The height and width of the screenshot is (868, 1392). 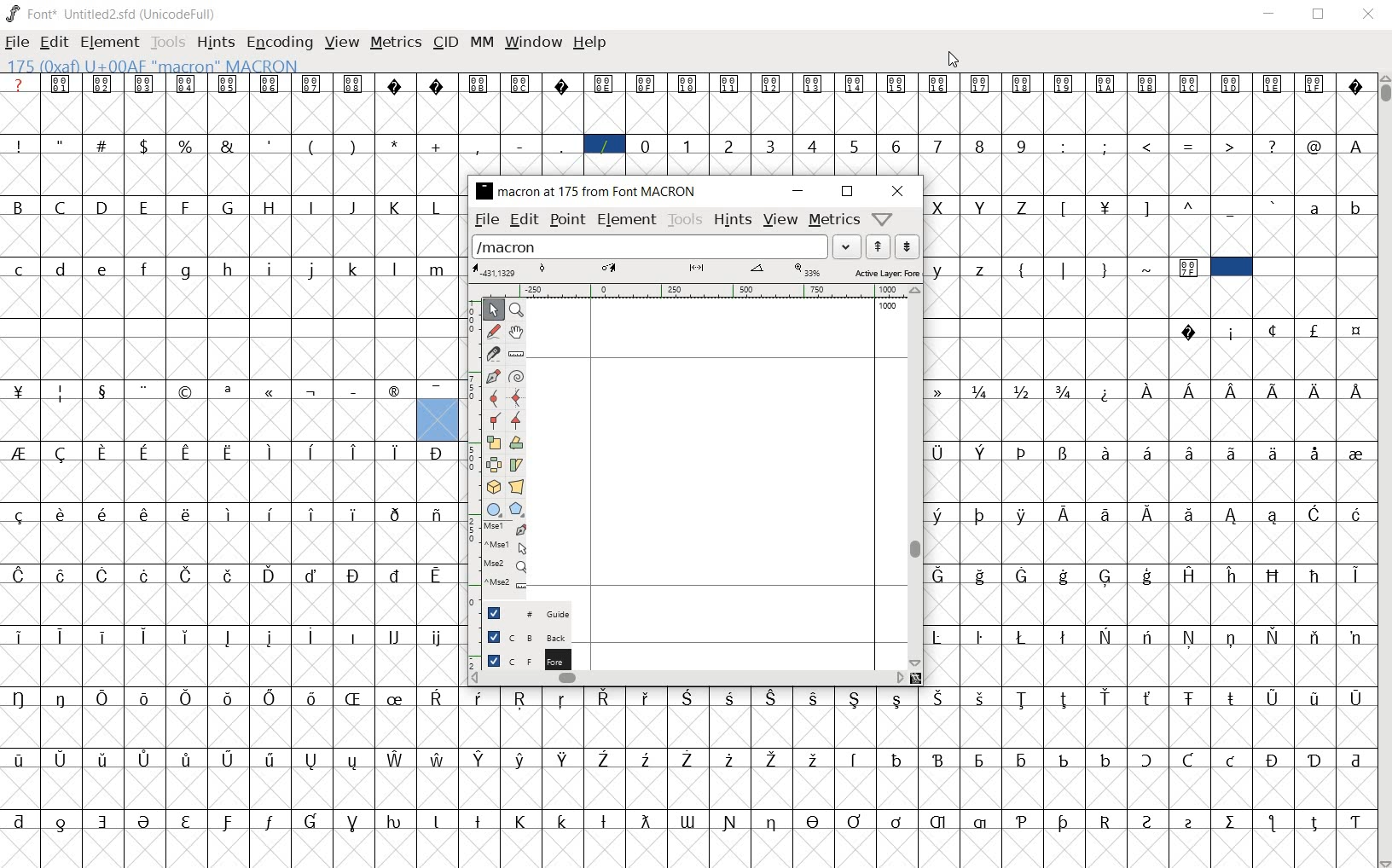 I want to click on #, so click(x=104, y=145).